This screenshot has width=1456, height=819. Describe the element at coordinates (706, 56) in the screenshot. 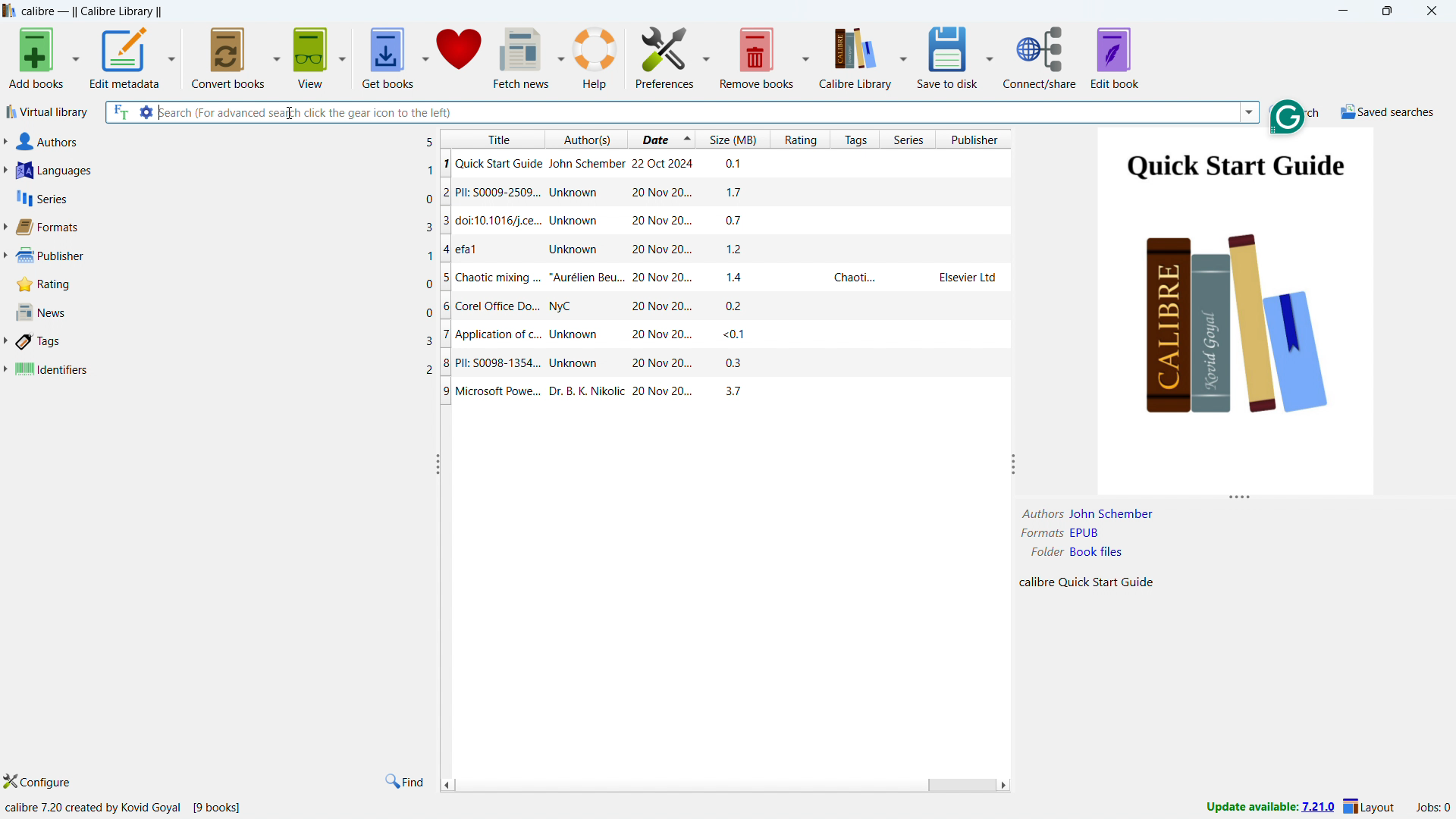

I see `preference options` at that location.